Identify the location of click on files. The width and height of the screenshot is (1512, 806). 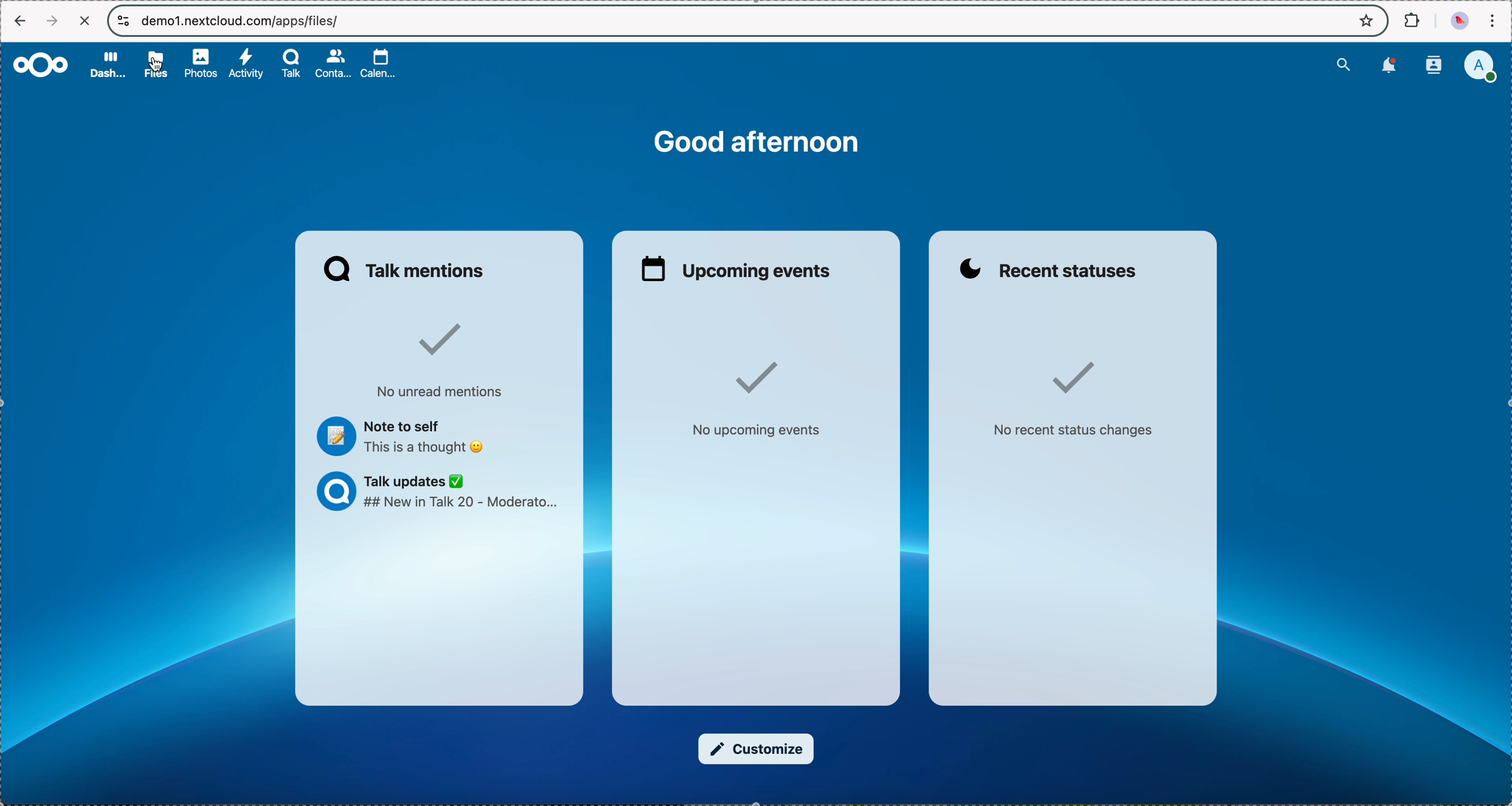
(158, 65).